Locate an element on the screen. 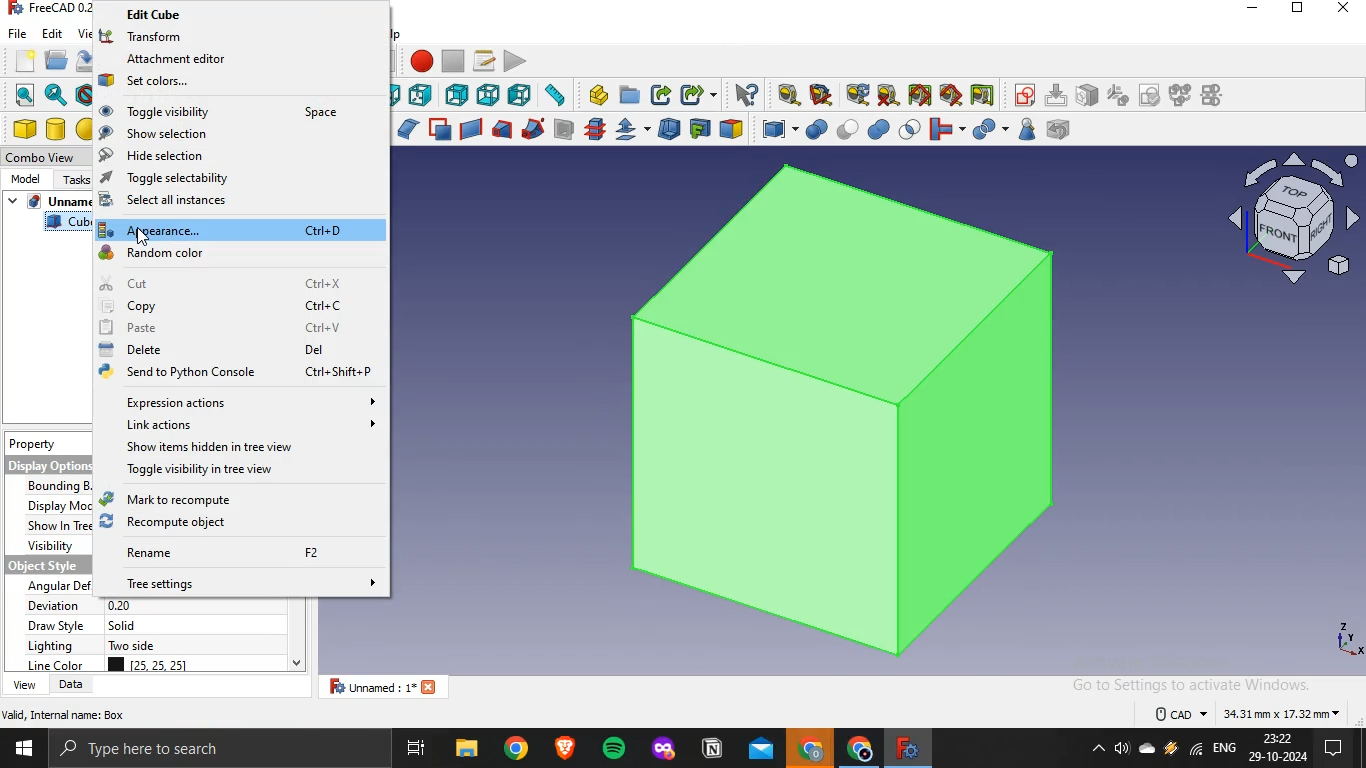  type here to search is located at coordinates (147, 750).